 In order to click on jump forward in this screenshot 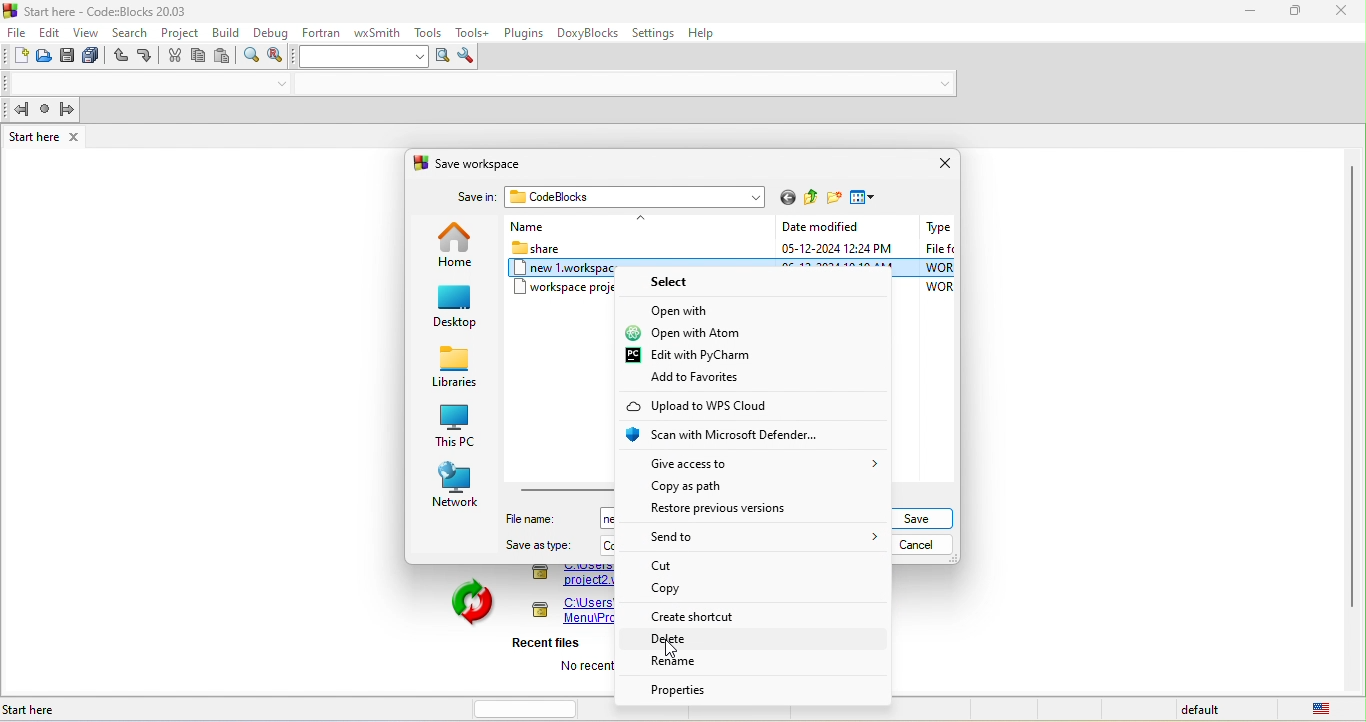, I will do `click(70, 109)`.